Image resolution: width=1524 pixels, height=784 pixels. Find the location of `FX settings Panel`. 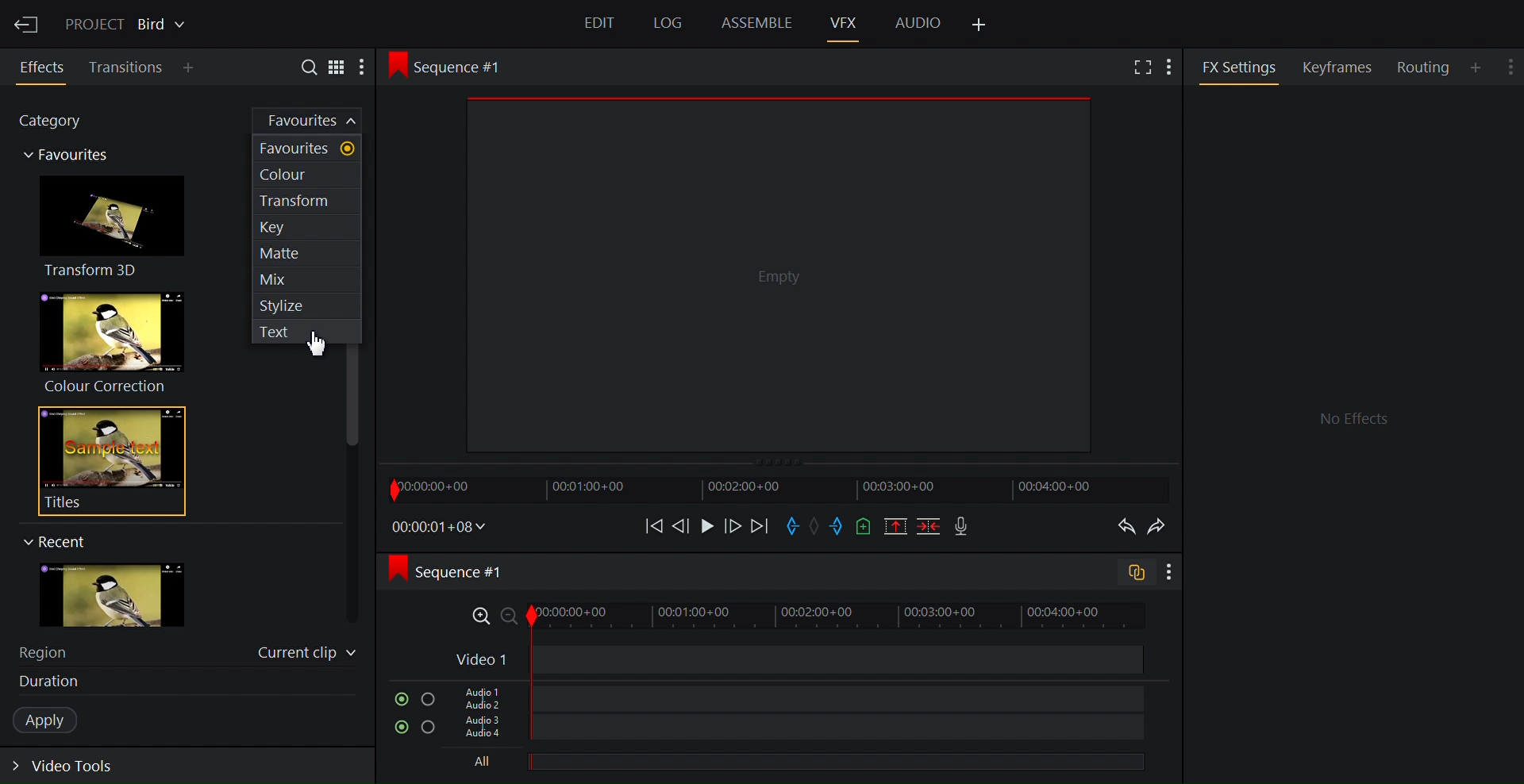

FX settings Panel is located at coordinates (1352, 430).